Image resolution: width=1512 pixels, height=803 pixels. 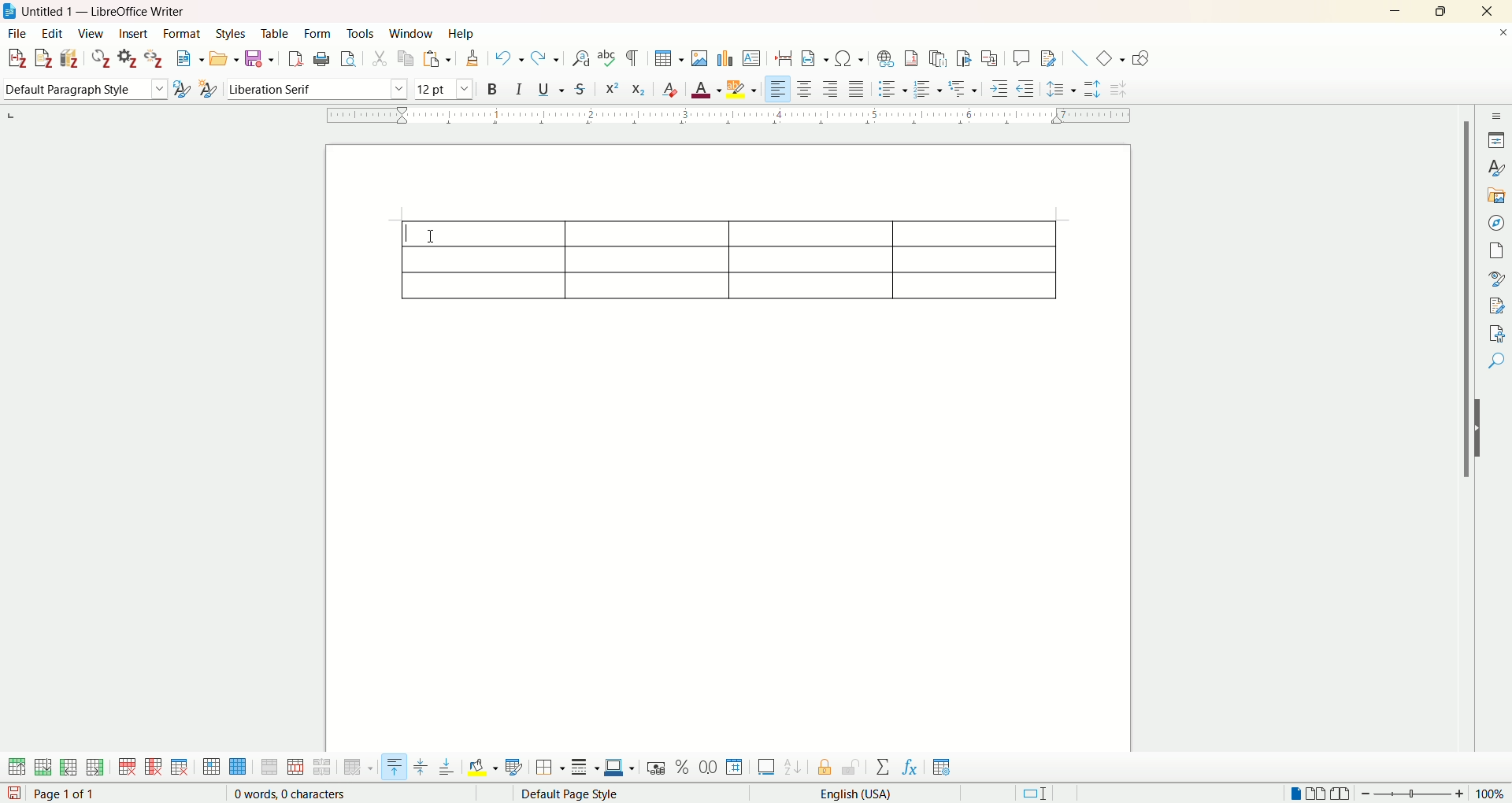 I want to click on default page, so click(x=612, y=792).